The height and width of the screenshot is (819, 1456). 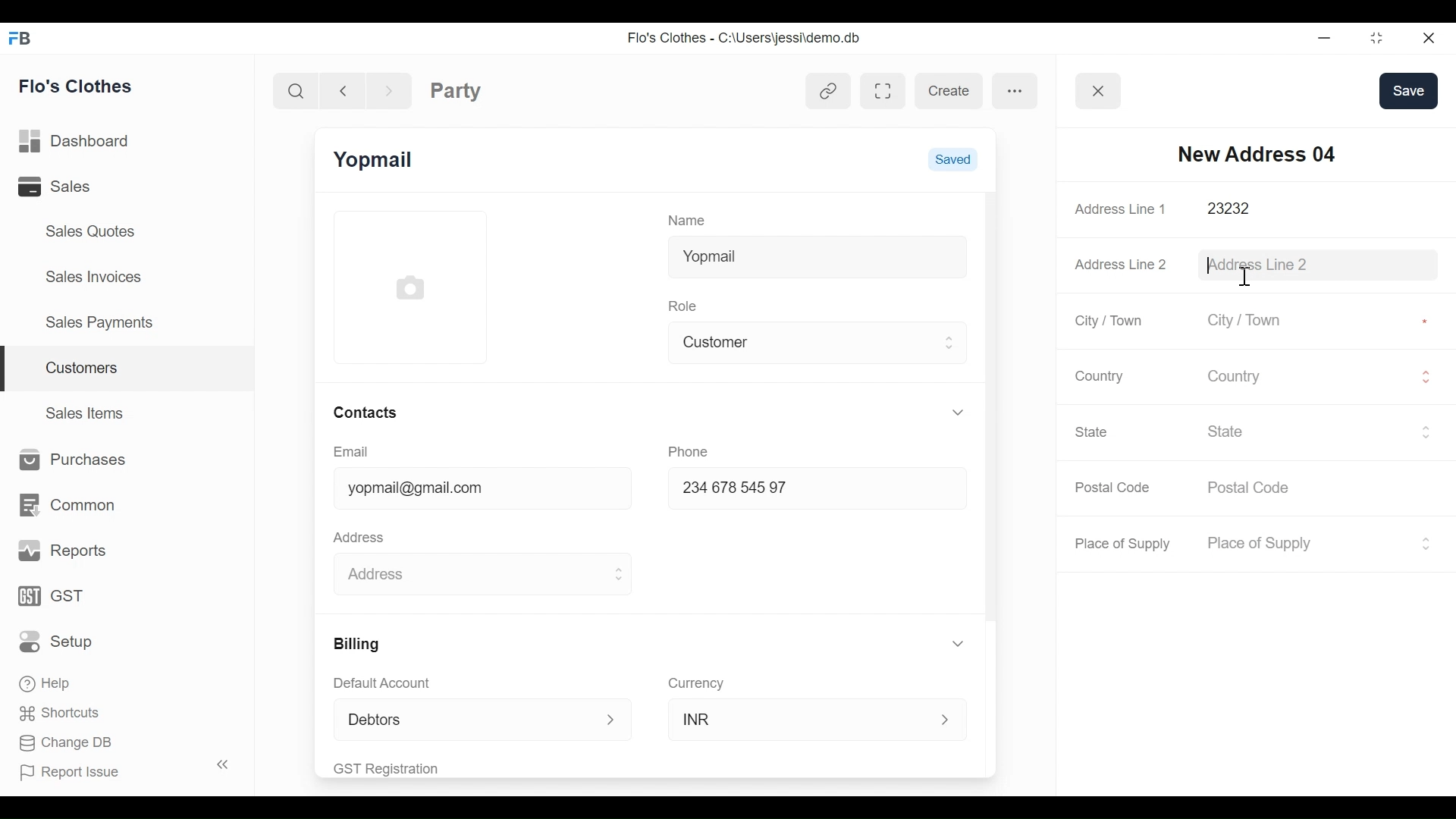 I want to click on Name, so click(x=690, y=219).